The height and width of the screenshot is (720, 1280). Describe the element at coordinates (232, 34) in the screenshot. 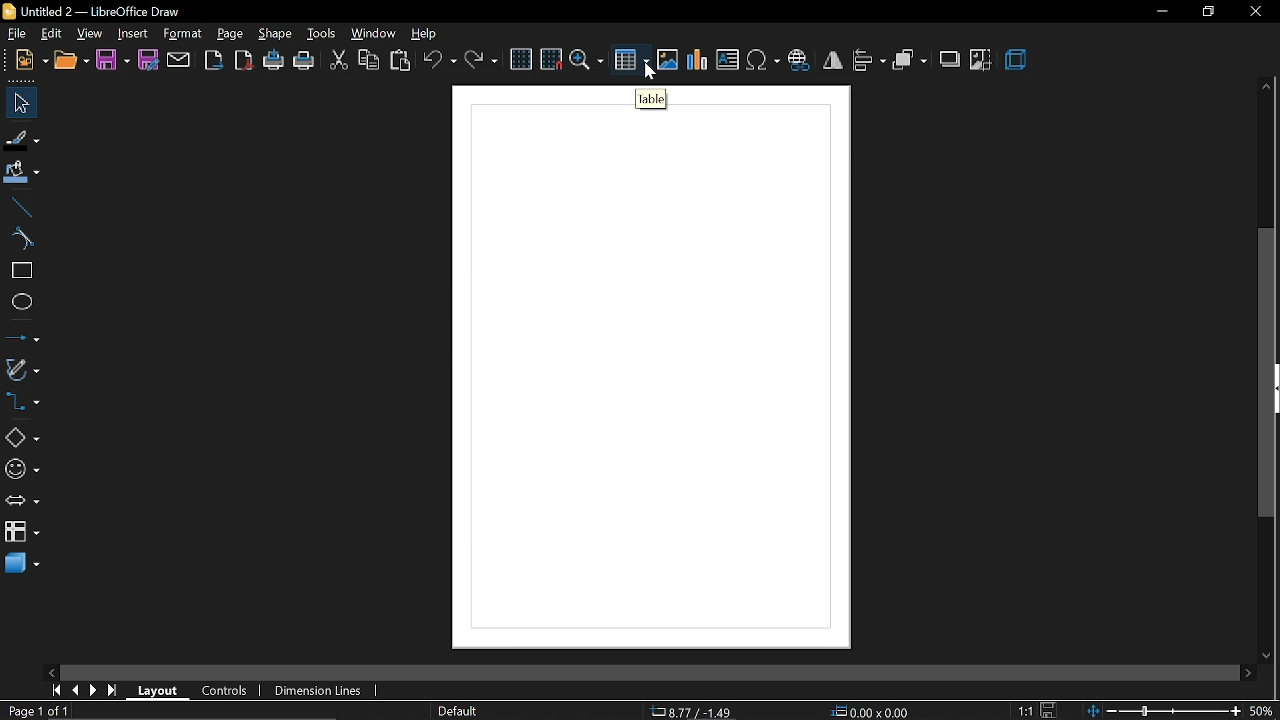

I see `page` at that location.